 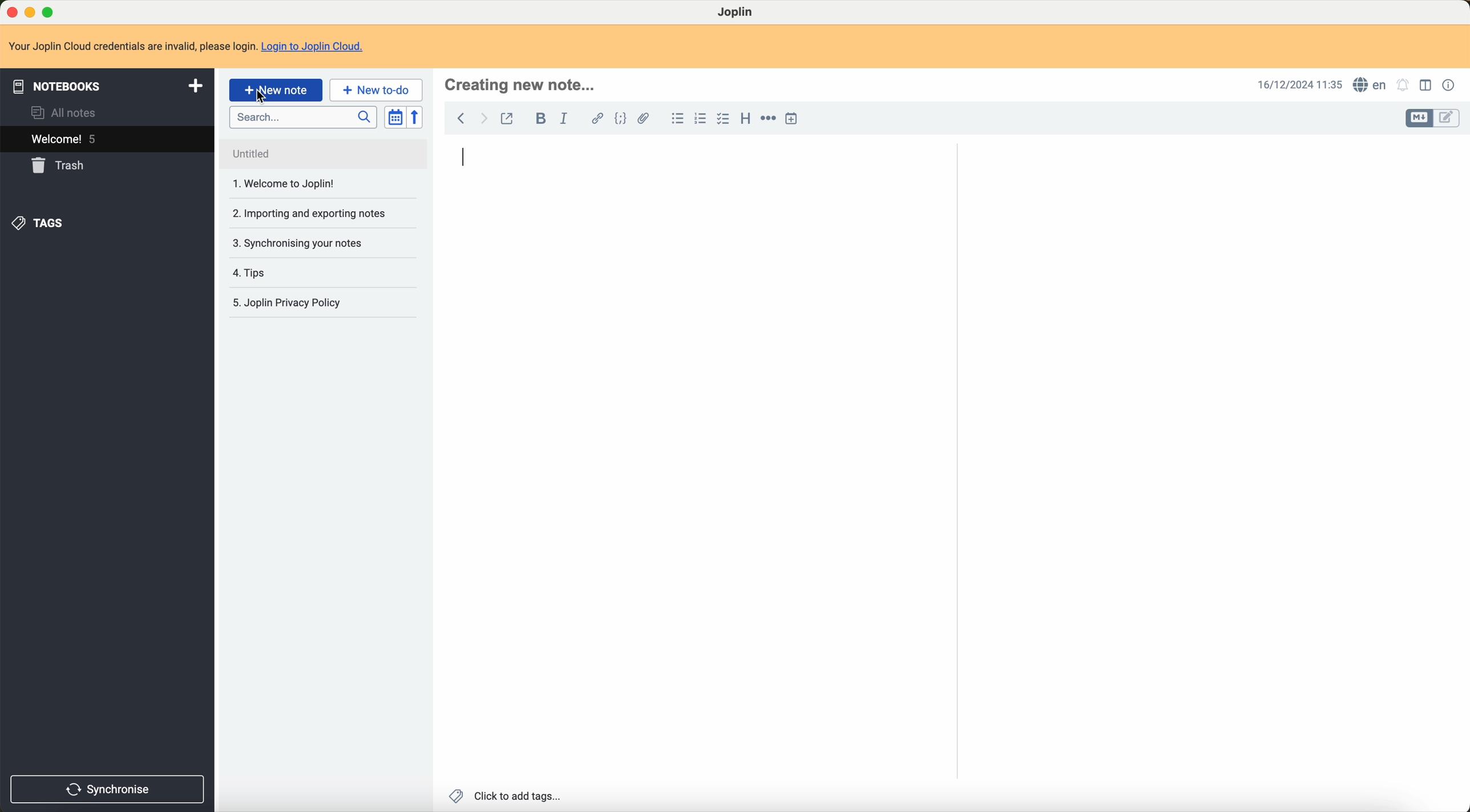 I want to click on bulleted list, so click(x=676, y=118).